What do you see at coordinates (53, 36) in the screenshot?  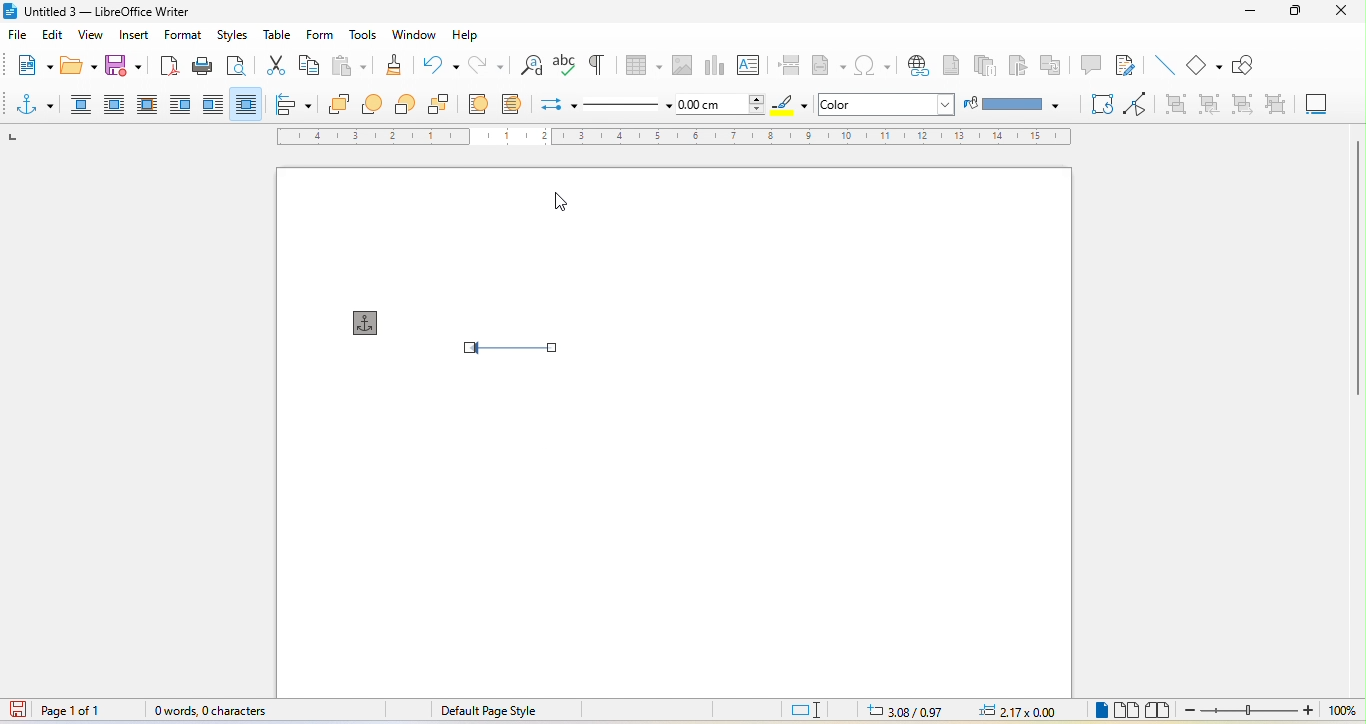 I see `edit` at bounding box center [53, 36].